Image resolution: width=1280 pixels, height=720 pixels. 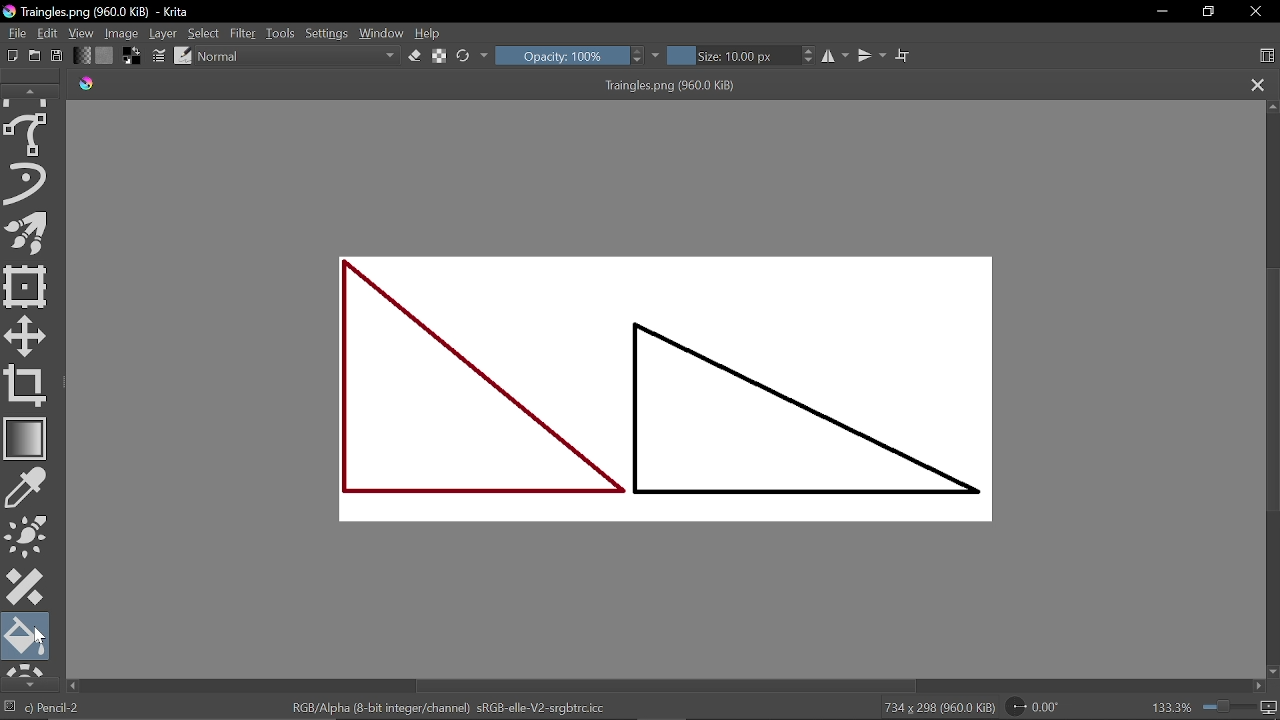 I want to click on Multibrush tool, so click(x=29, y=233).